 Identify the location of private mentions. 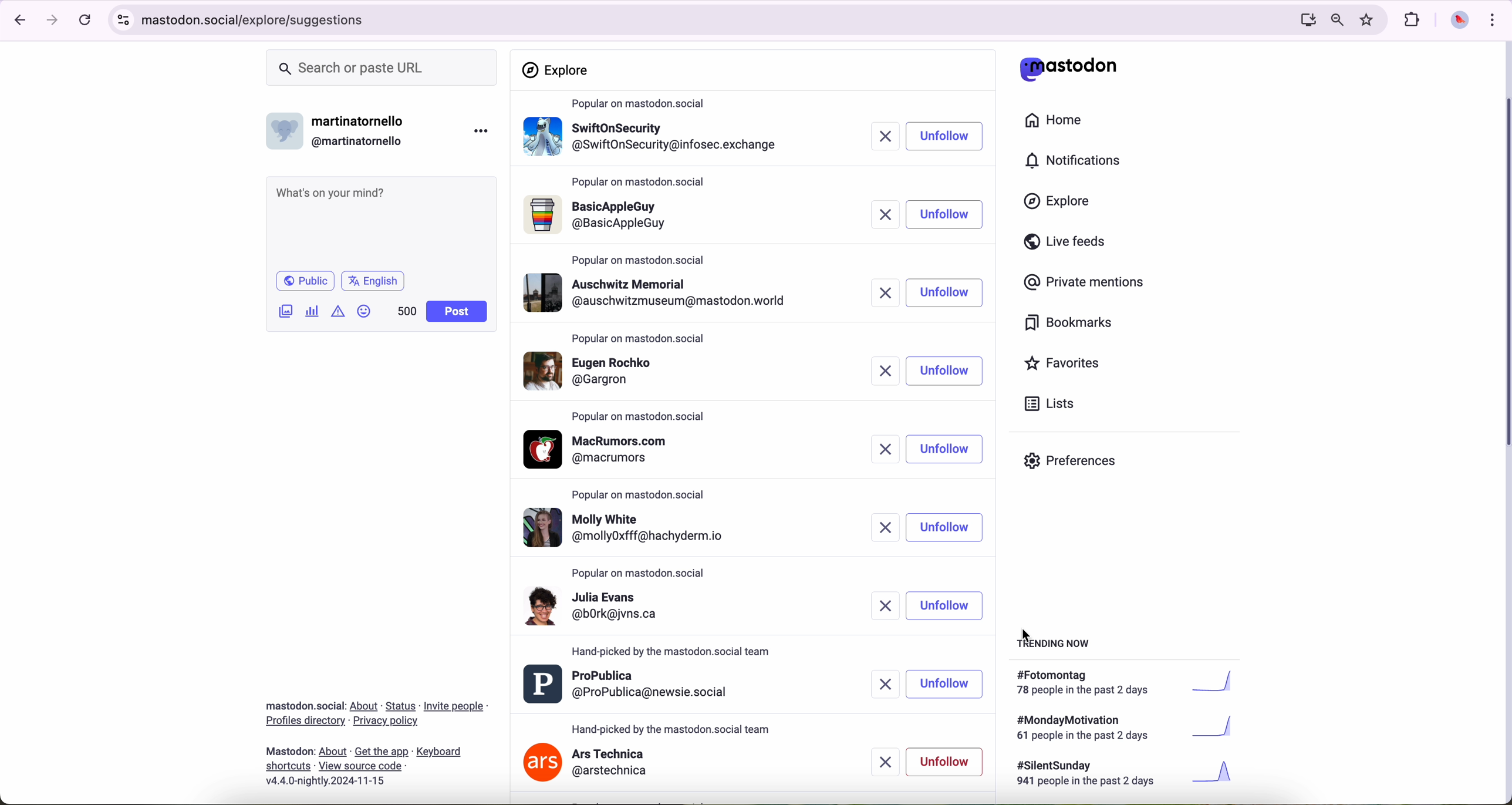
(1085, 283).